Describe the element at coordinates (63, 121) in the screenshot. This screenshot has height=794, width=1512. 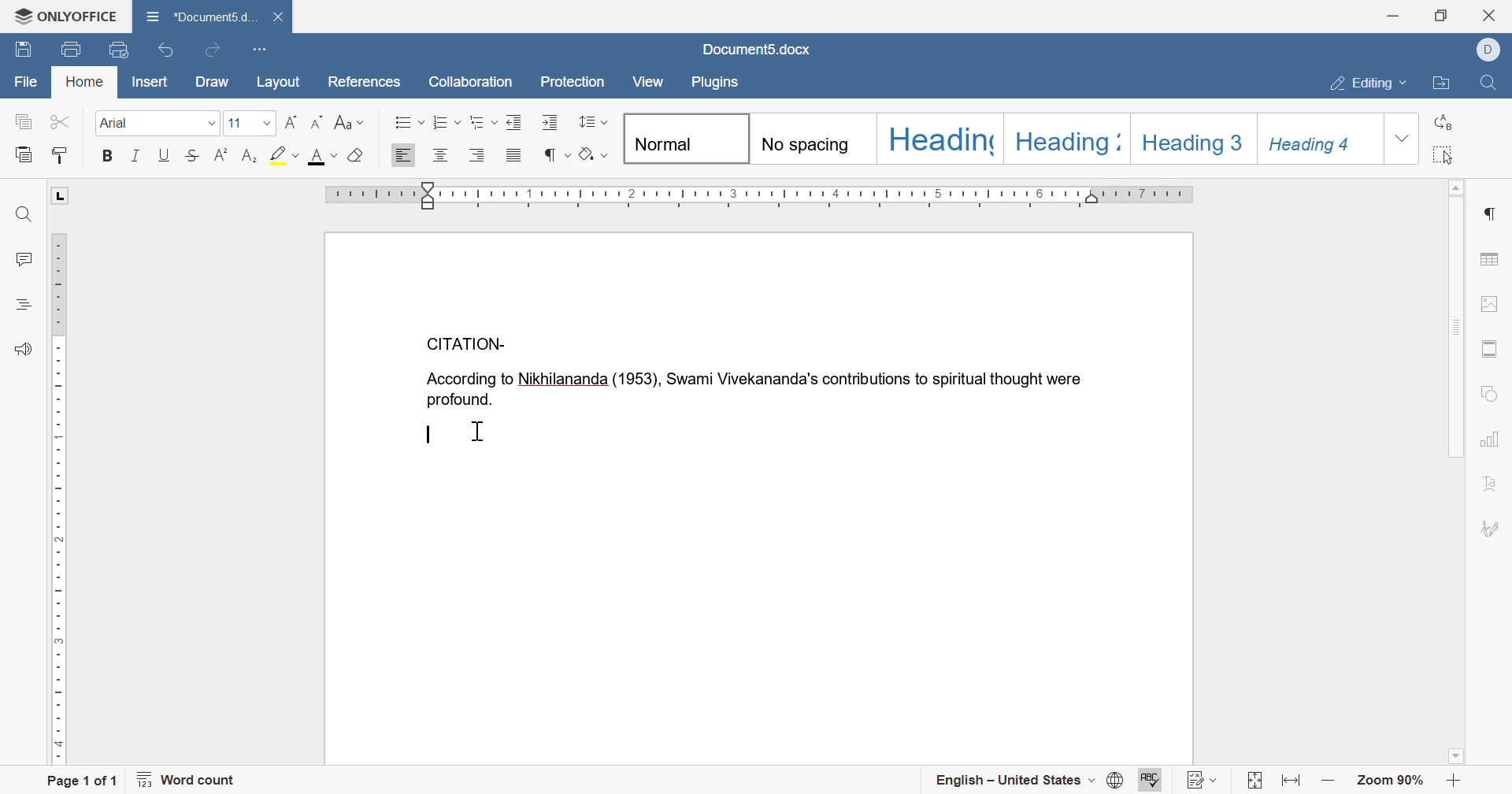
I see `cut` at that location.